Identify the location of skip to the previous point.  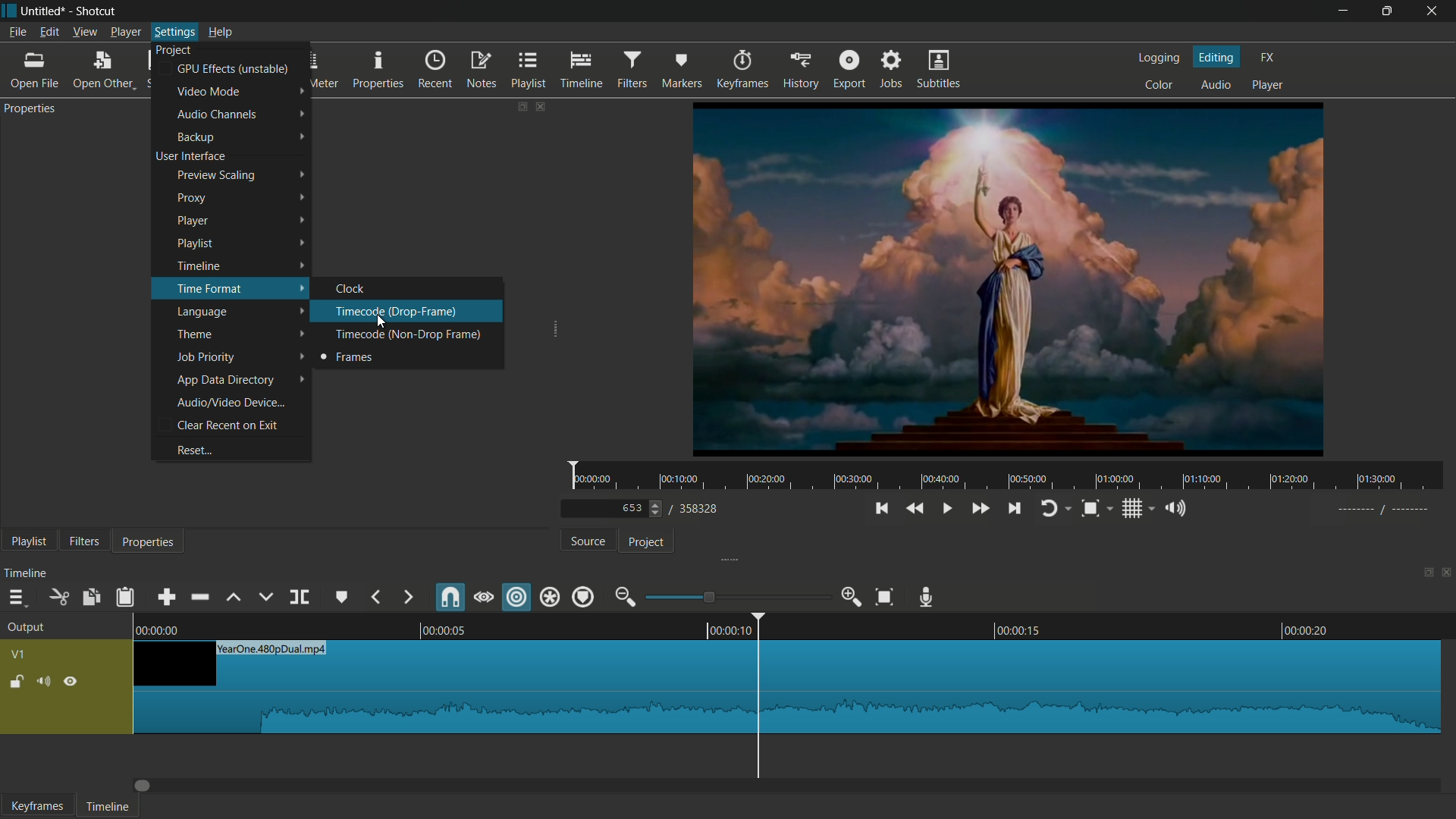
(880, 508).